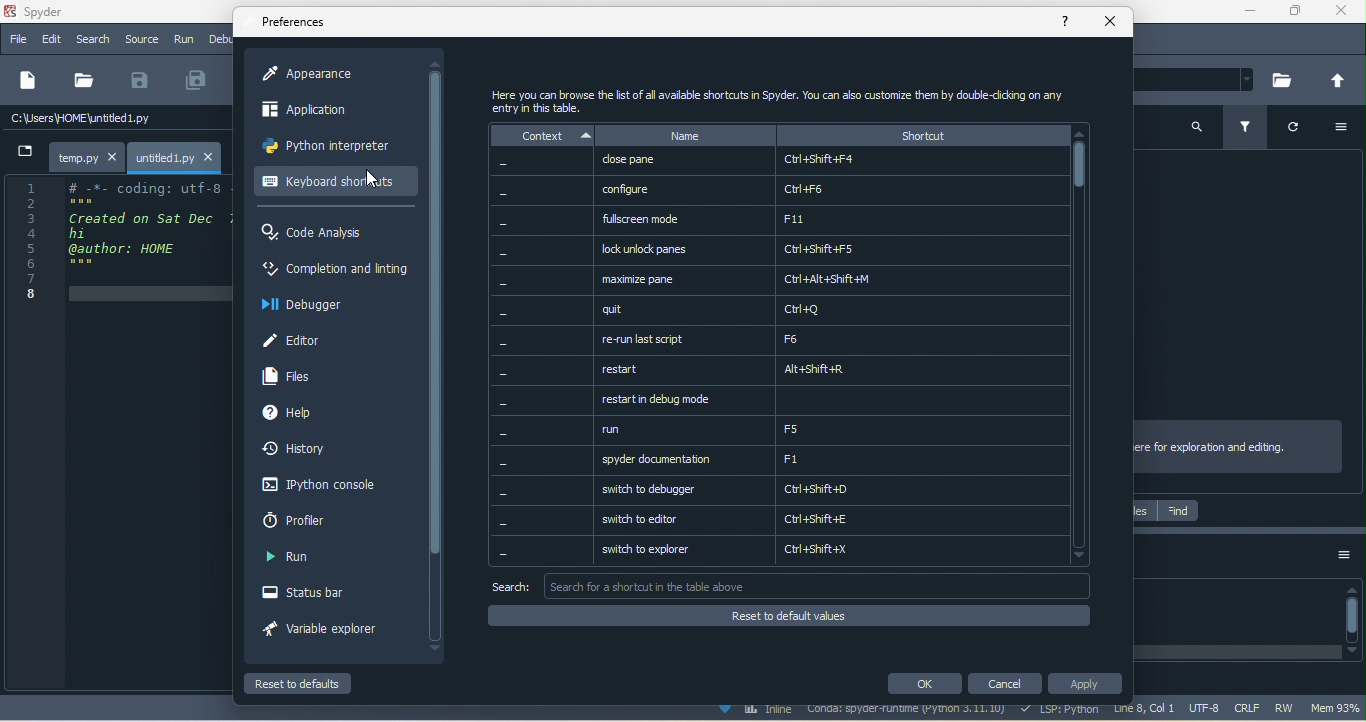 The height and width of the screenshot is (722, 1366). What do you see at coordinates (310, 590) in the screenshot?
I see `status bar` at bounding box center [310, 590].